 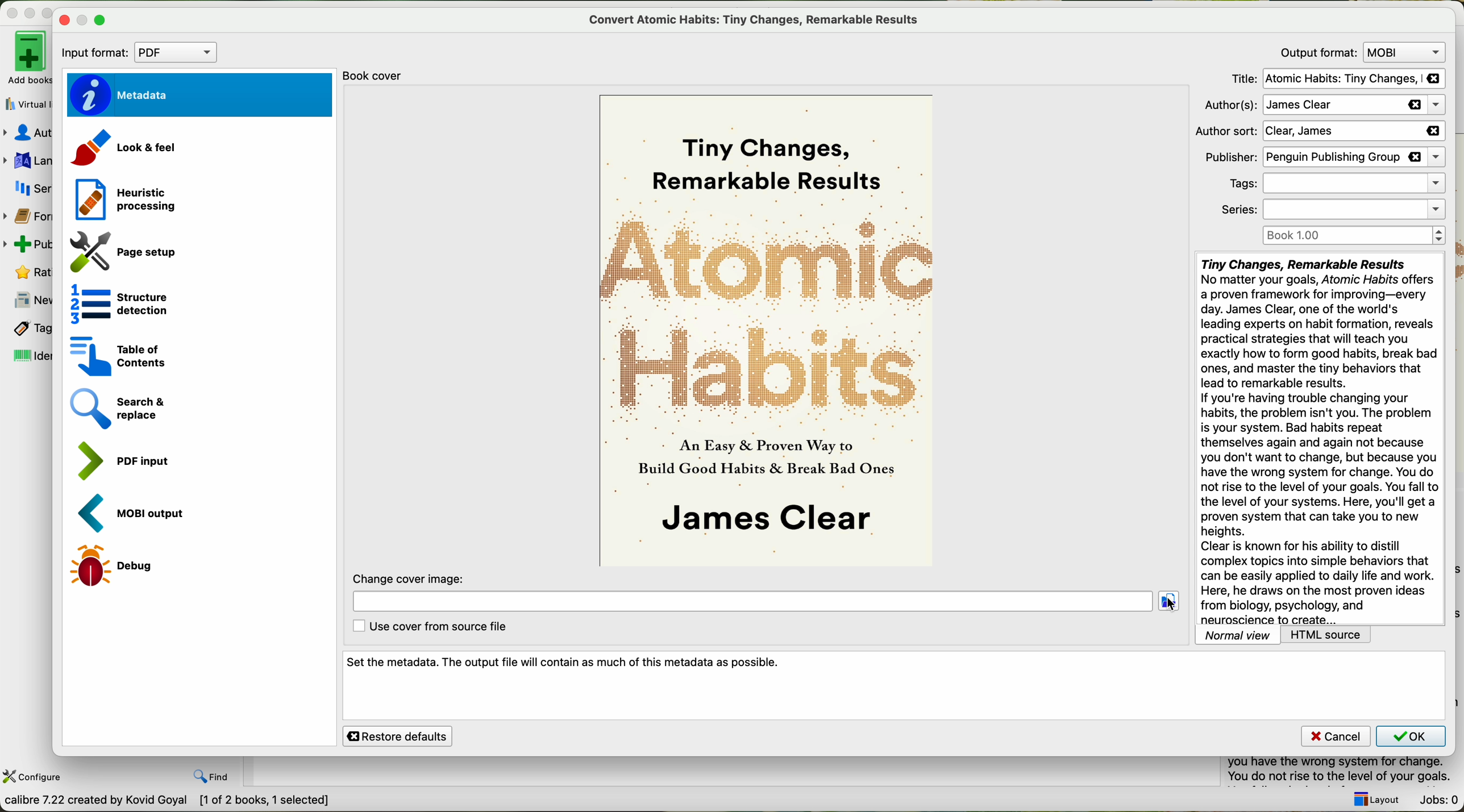 What do you see at coordinates (117, 355) in the screenshot?
I see `table of contents` at bounding box center [117, 355].